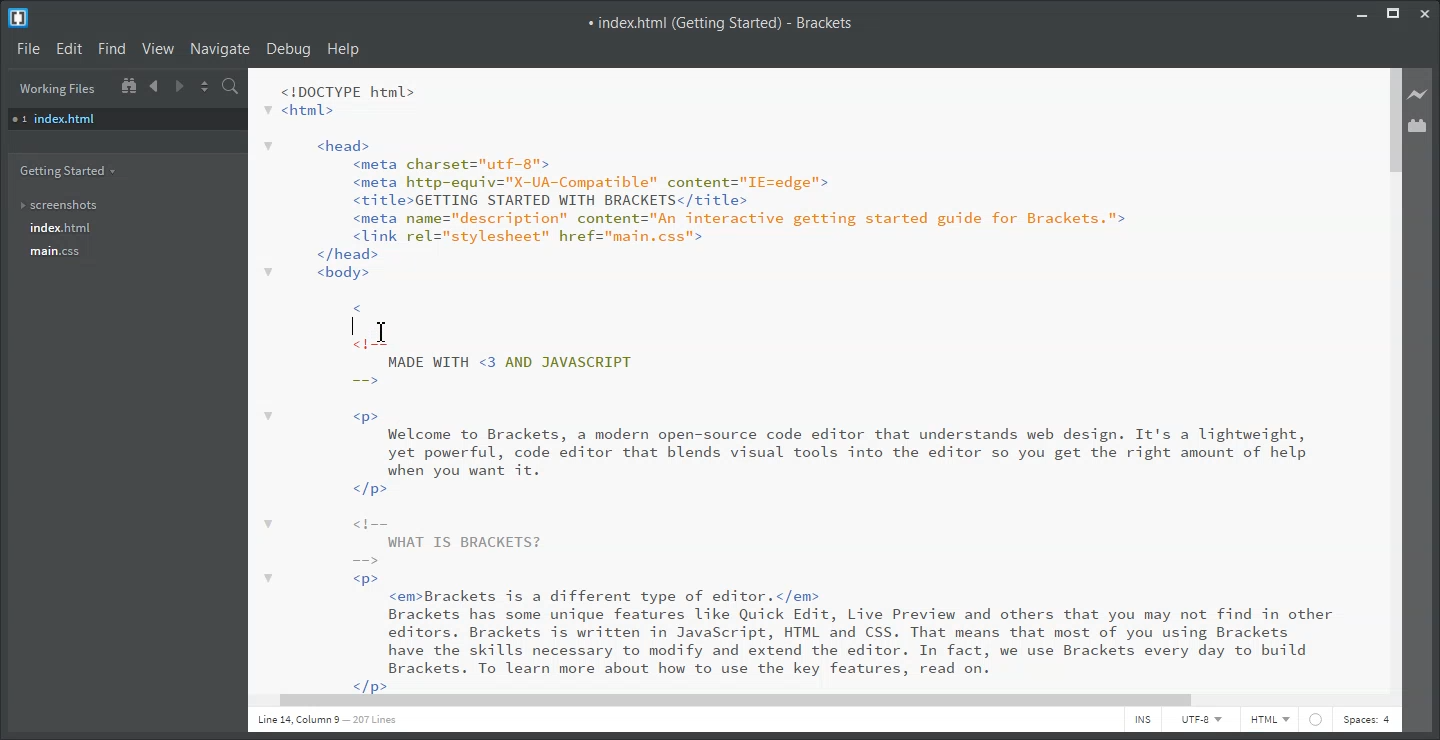 The height and width of the screenshot is (740, 1440). Describe the element at coordinates (19, 17) in the screenshot. I see `Logo` at that location.